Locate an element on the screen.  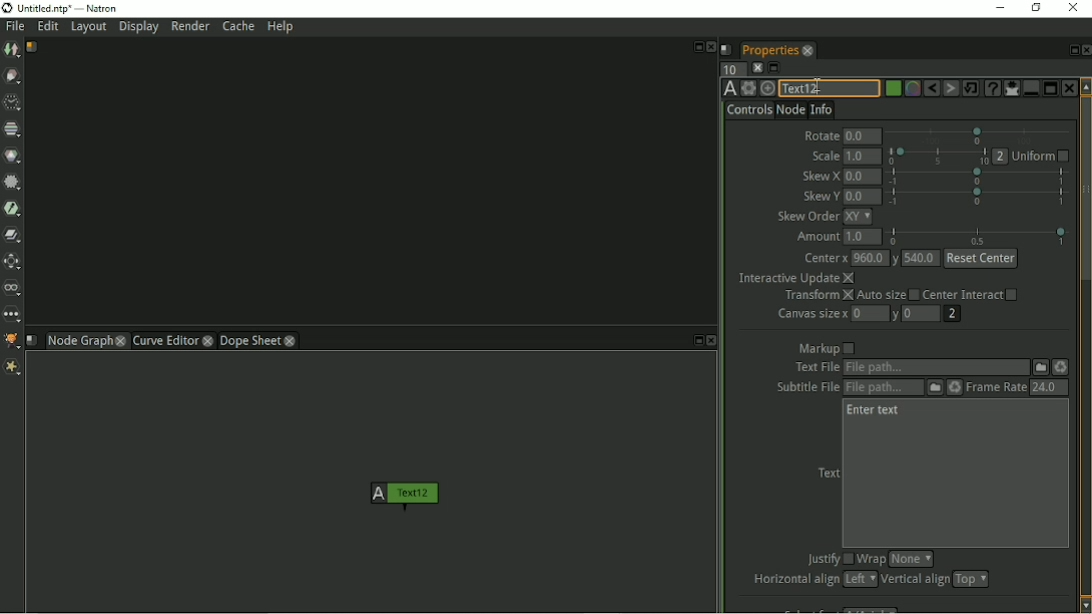
logo is located at coordinates (7, 8).